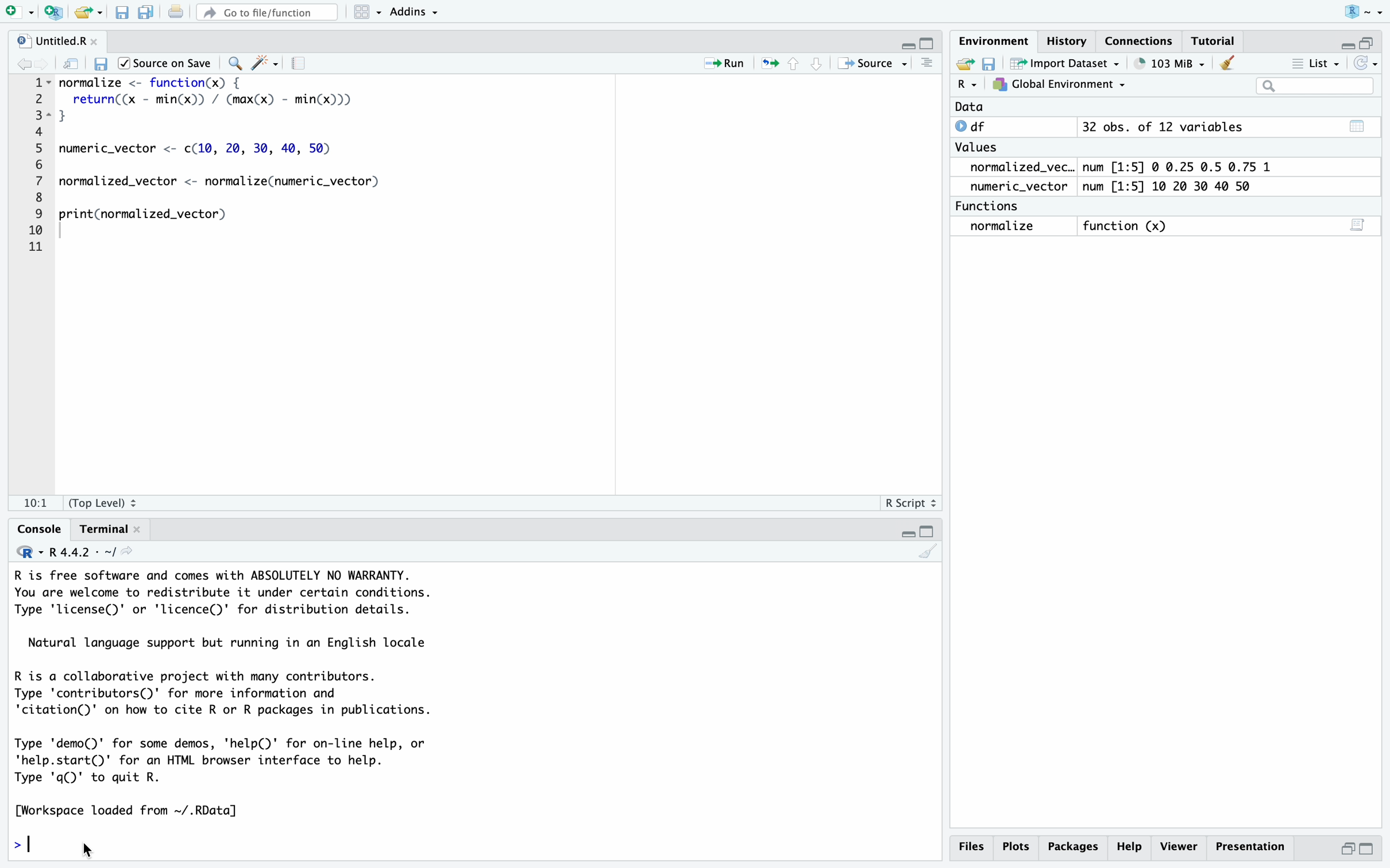  I want to click on Search bar, so click(1314, 86).